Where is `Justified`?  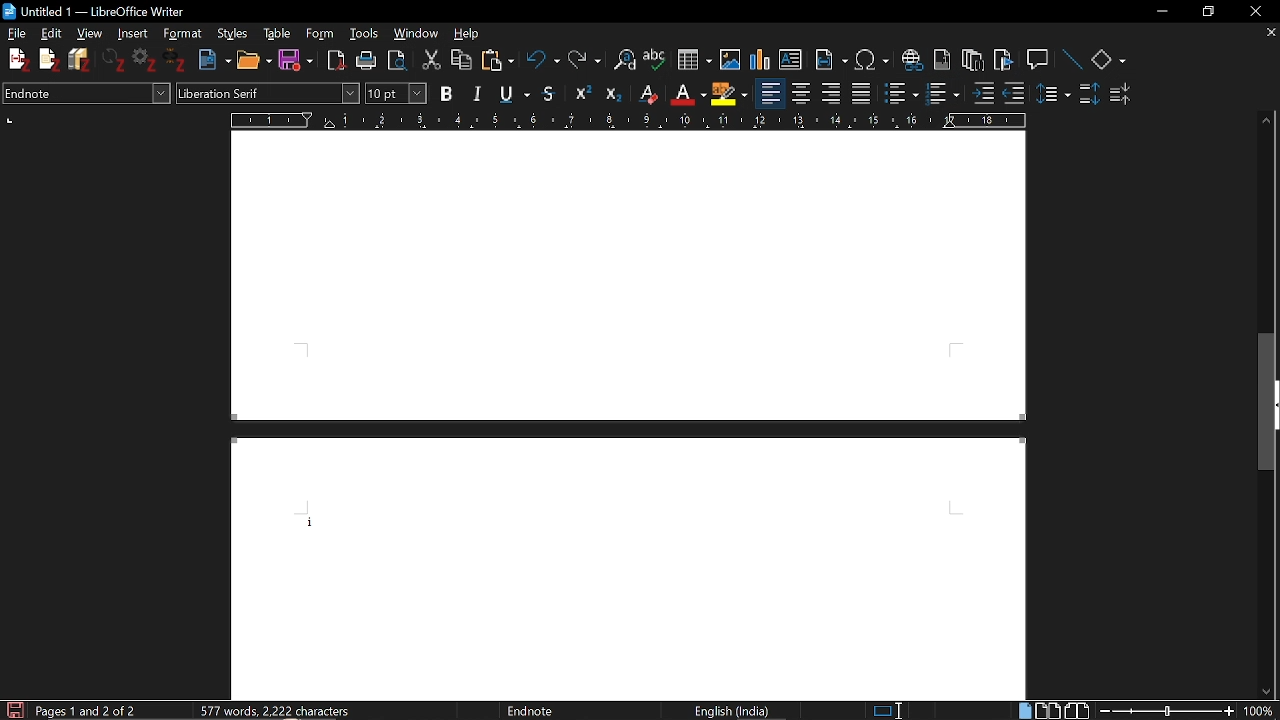 Justified is located at coordinates (864, 93).